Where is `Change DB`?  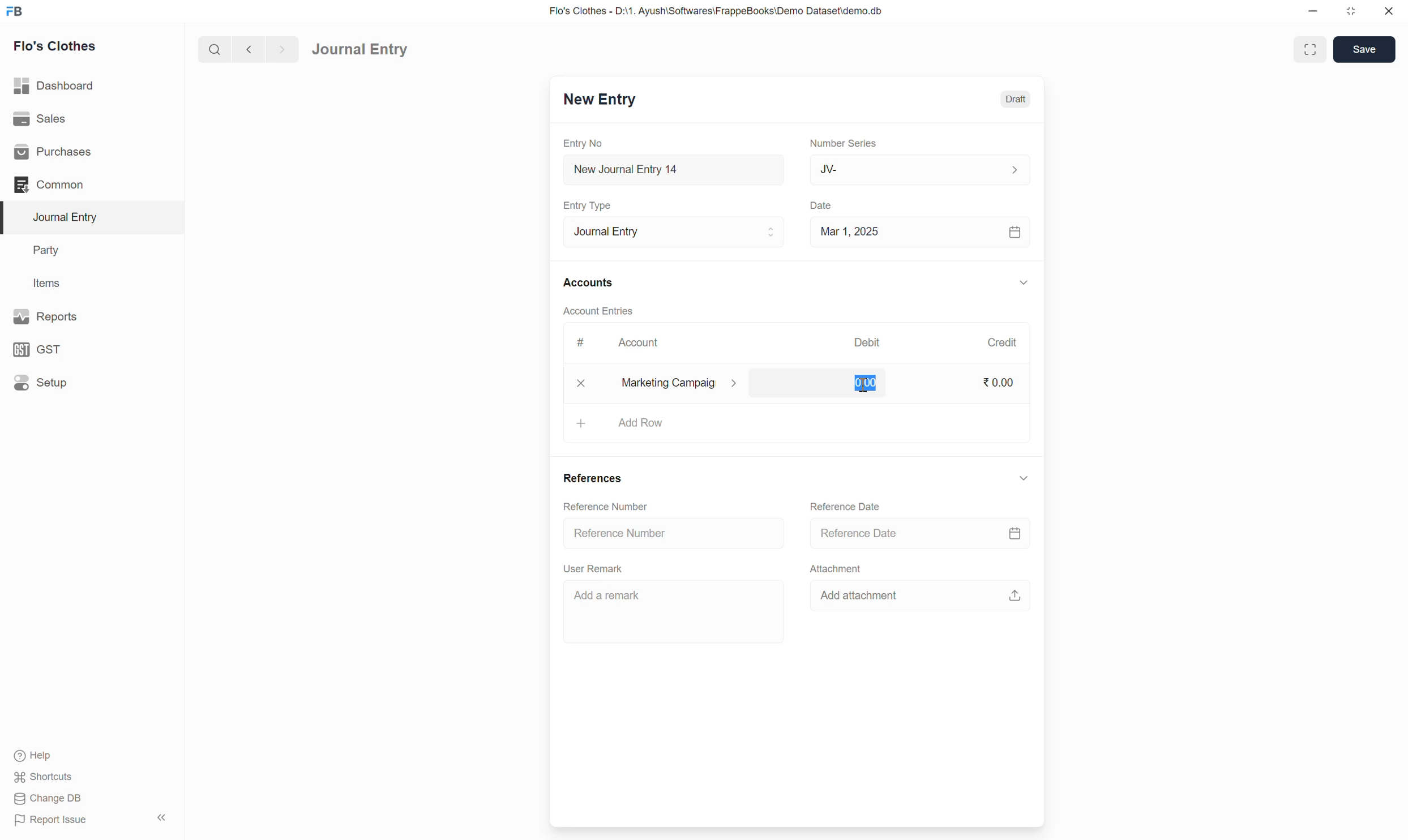 Change DB is located at coordinates (48, 798).